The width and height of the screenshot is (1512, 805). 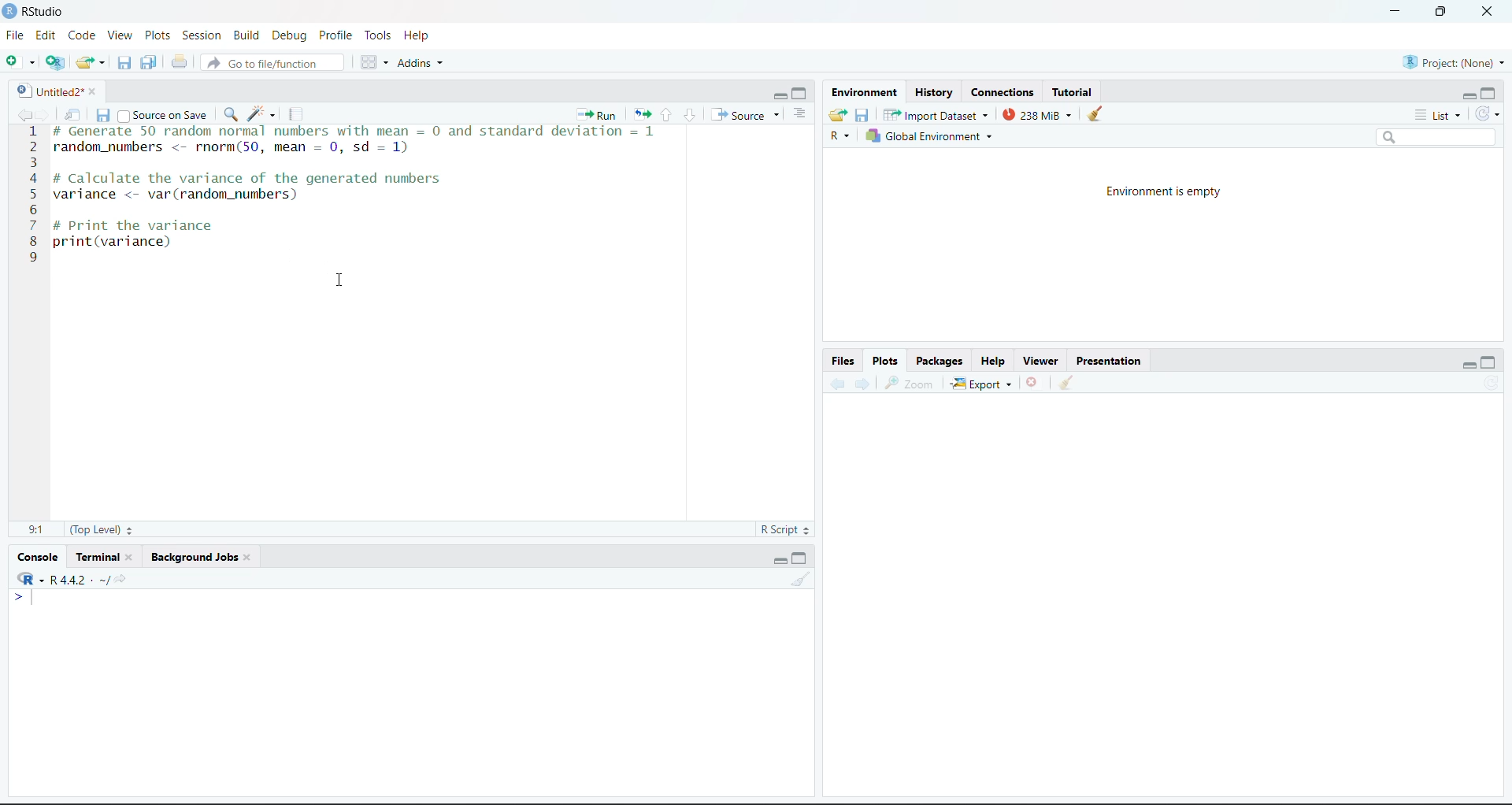 What do you see at coordinates (1488, 93) in the screenshot?
I see `maximize` at bounding box center [1488, 93].